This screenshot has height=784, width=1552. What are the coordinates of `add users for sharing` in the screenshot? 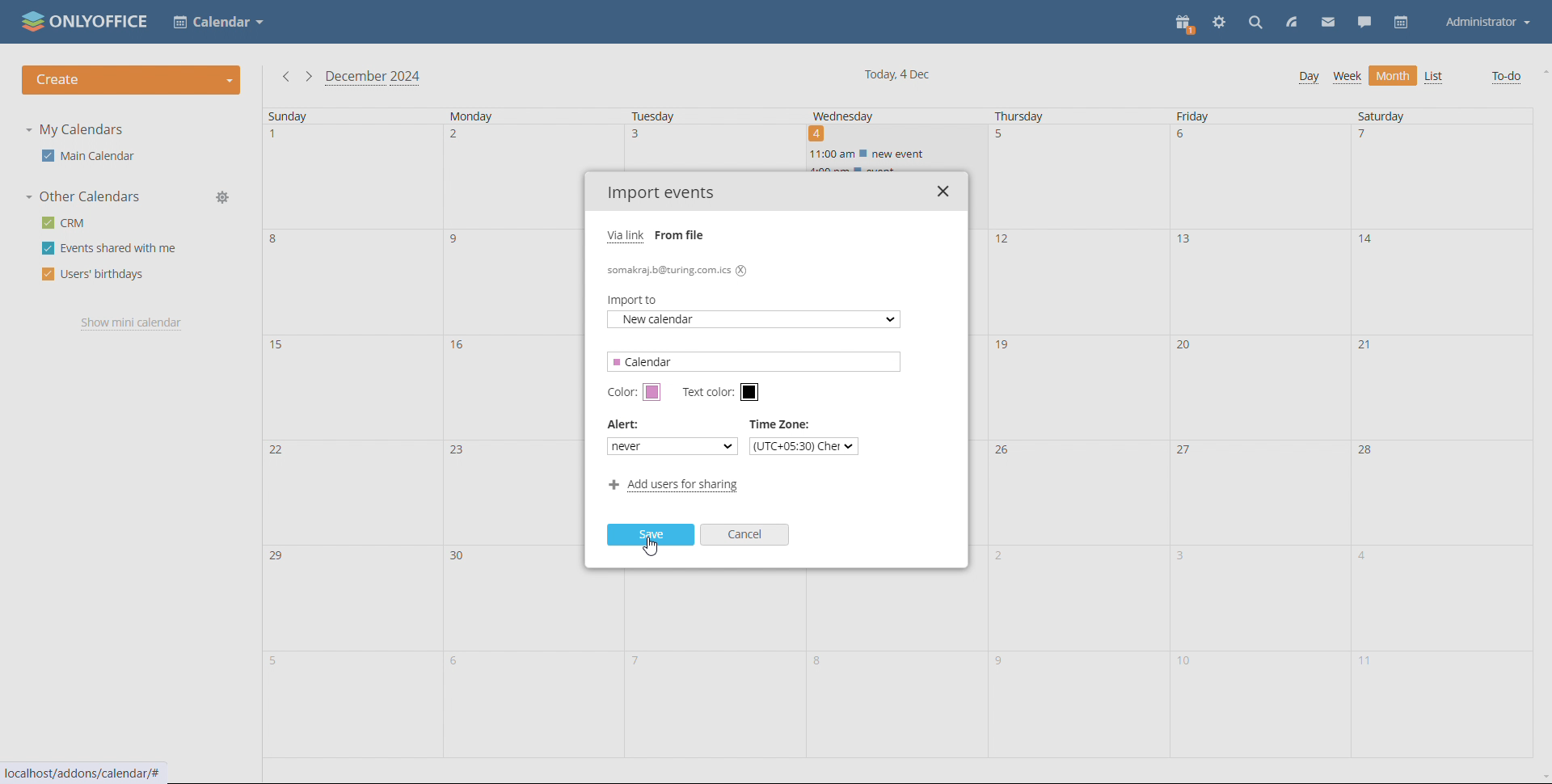 It's located at (674, 487).